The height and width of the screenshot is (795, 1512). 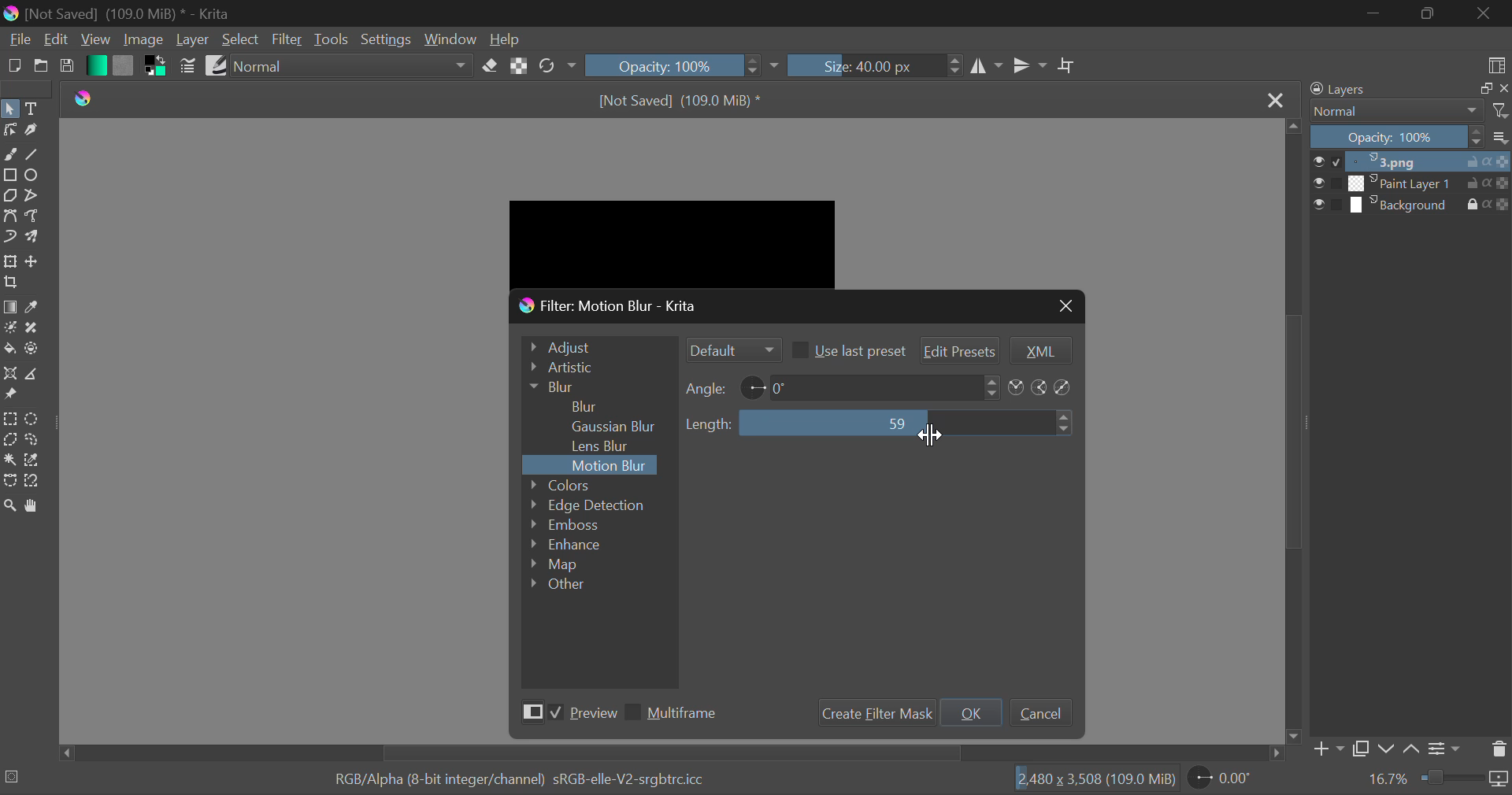 What do you see at coordinates (9, 374) in the screenshot?
I see `Assistant Tool` at bounding box center [9, 374].